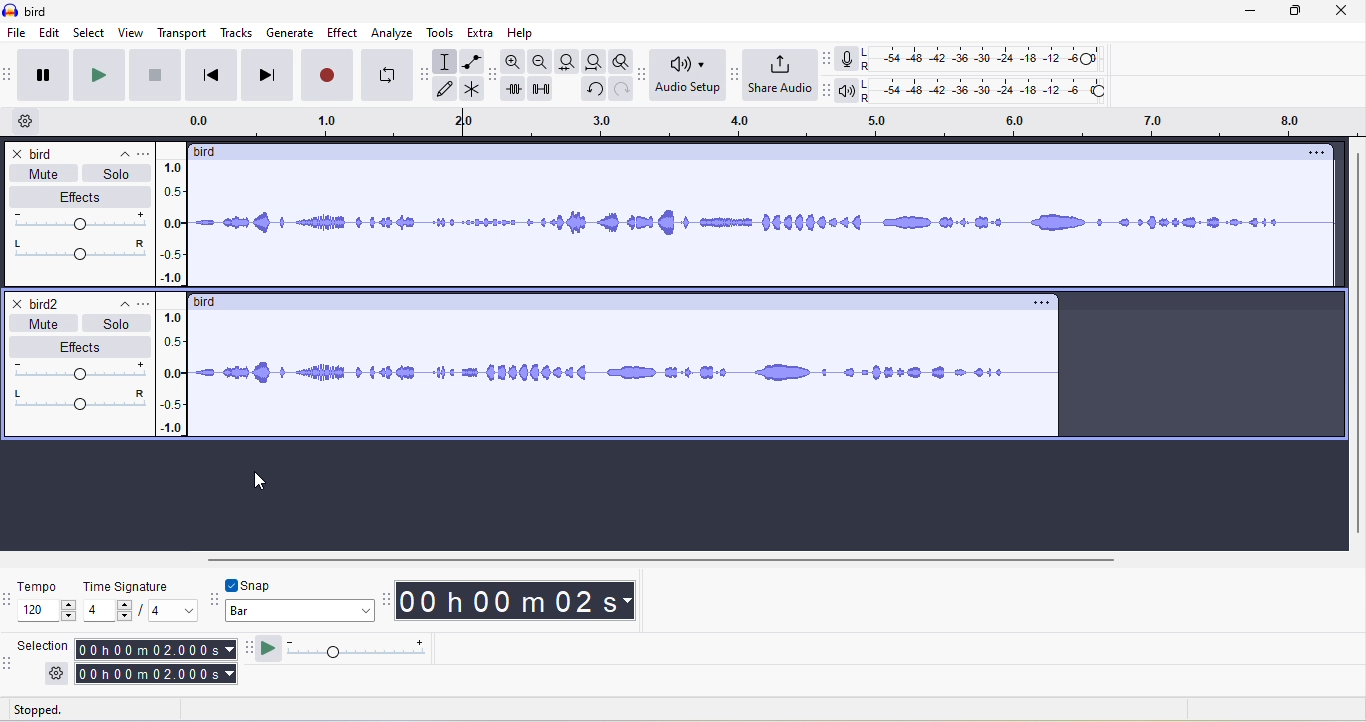 This screenshot has height=722, width=1366. What do you see at coordinates (438, 33) in the screenshot?
I see `tools` at bounding box center [438, 33].